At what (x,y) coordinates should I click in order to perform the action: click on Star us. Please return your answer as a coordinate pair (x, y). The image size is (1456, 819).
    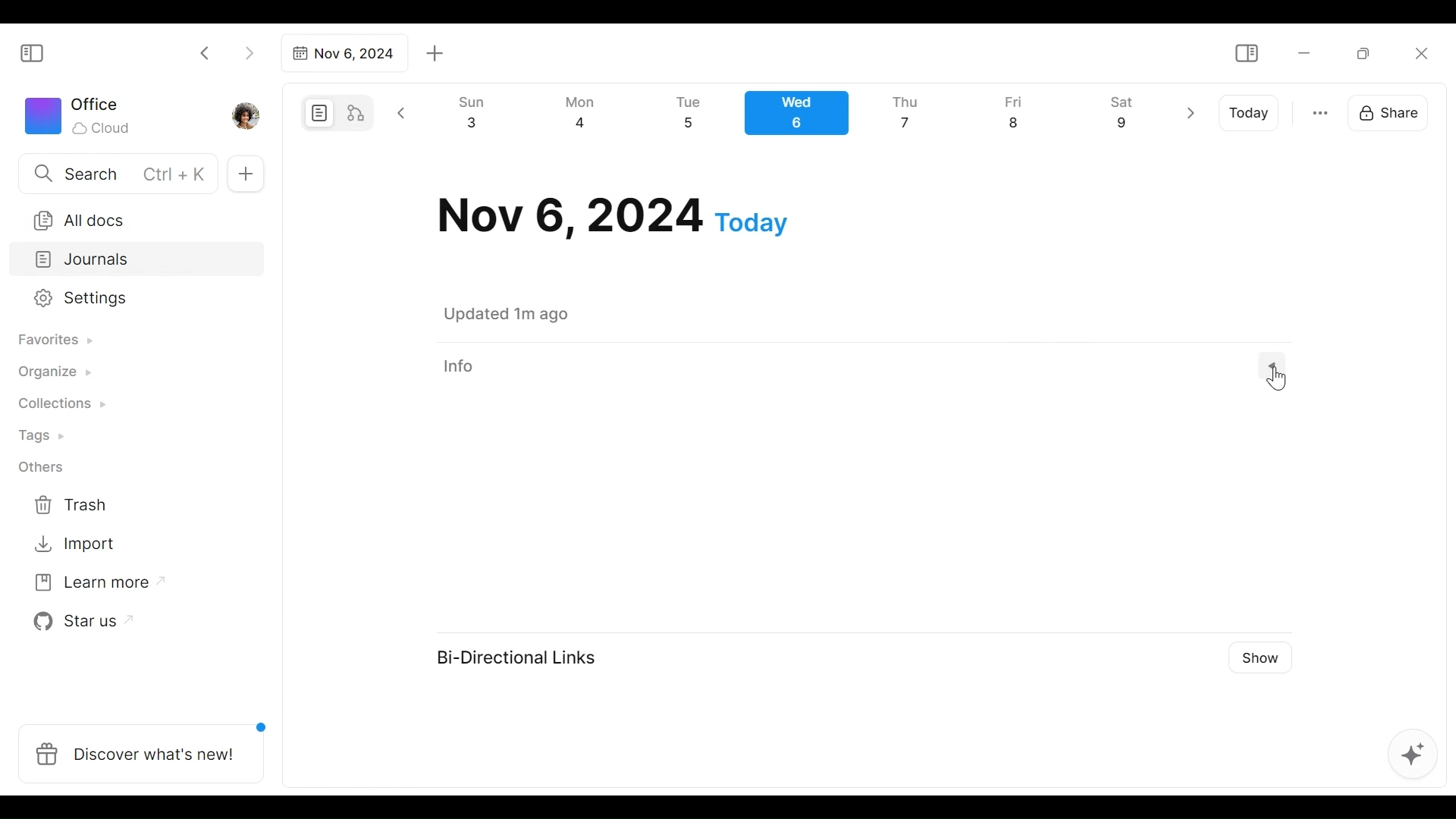
    Looking at the image, I should click on (79, 622).